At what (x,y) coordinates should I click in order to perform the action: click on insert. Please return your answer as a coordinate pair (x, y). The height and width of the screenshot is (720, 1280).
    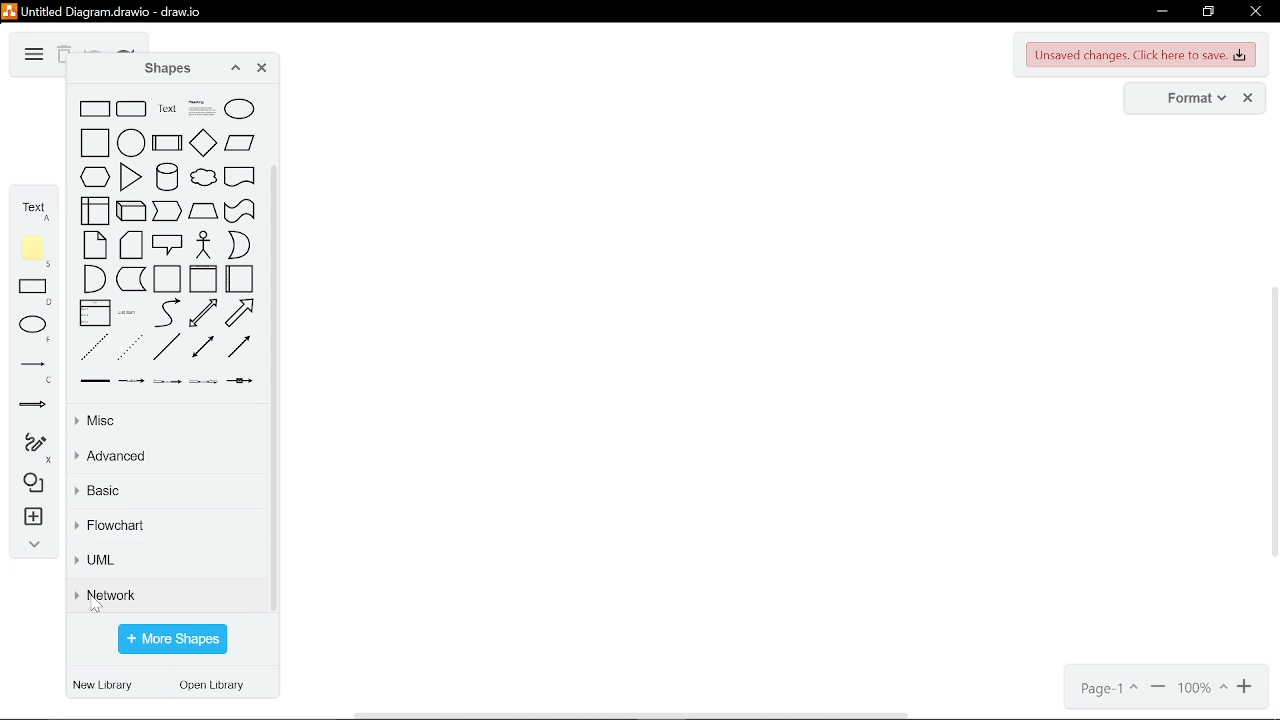
    Looking at the image, I should click on (31, 519).